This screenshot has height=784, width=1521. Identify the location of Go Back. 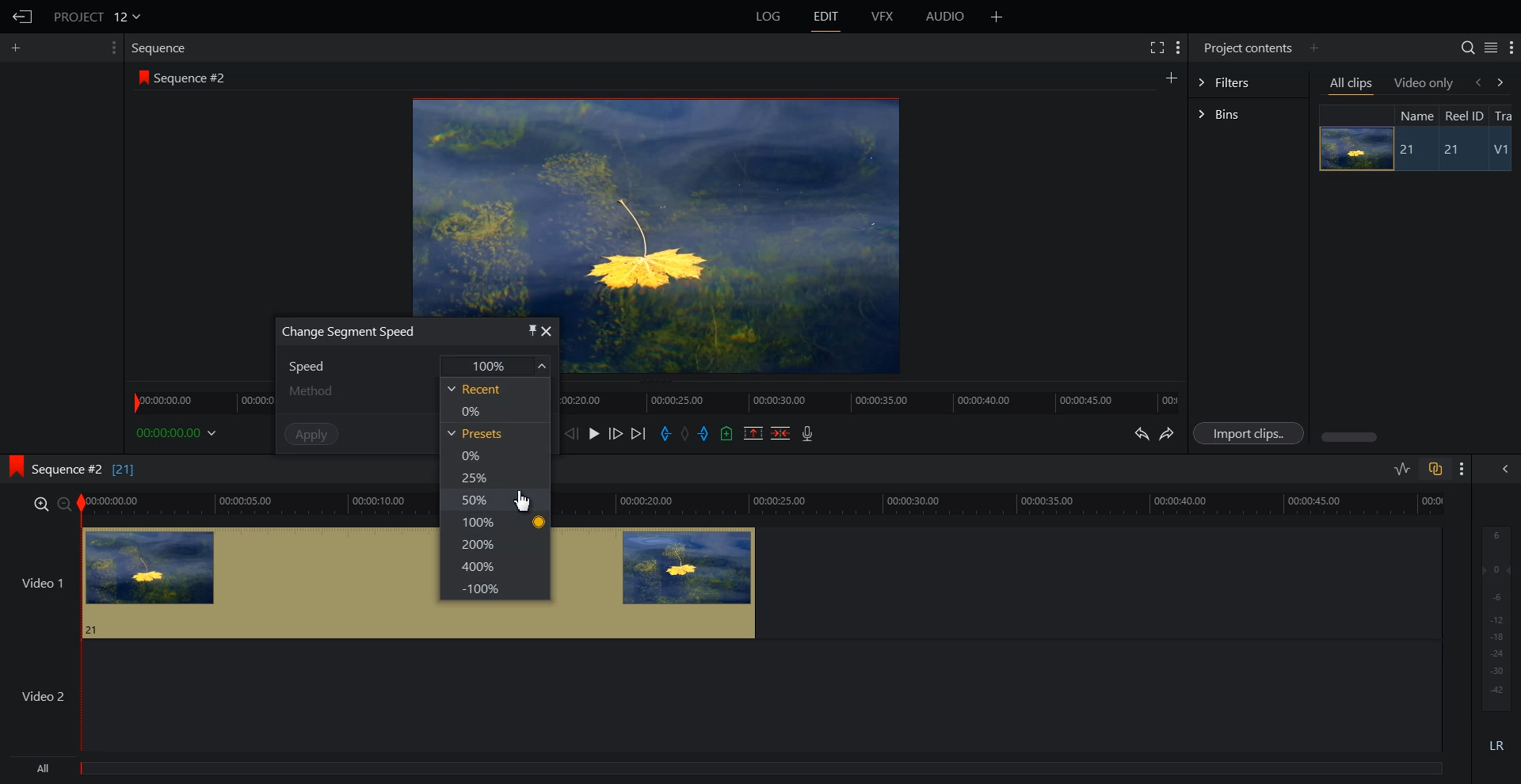
(23, 17).